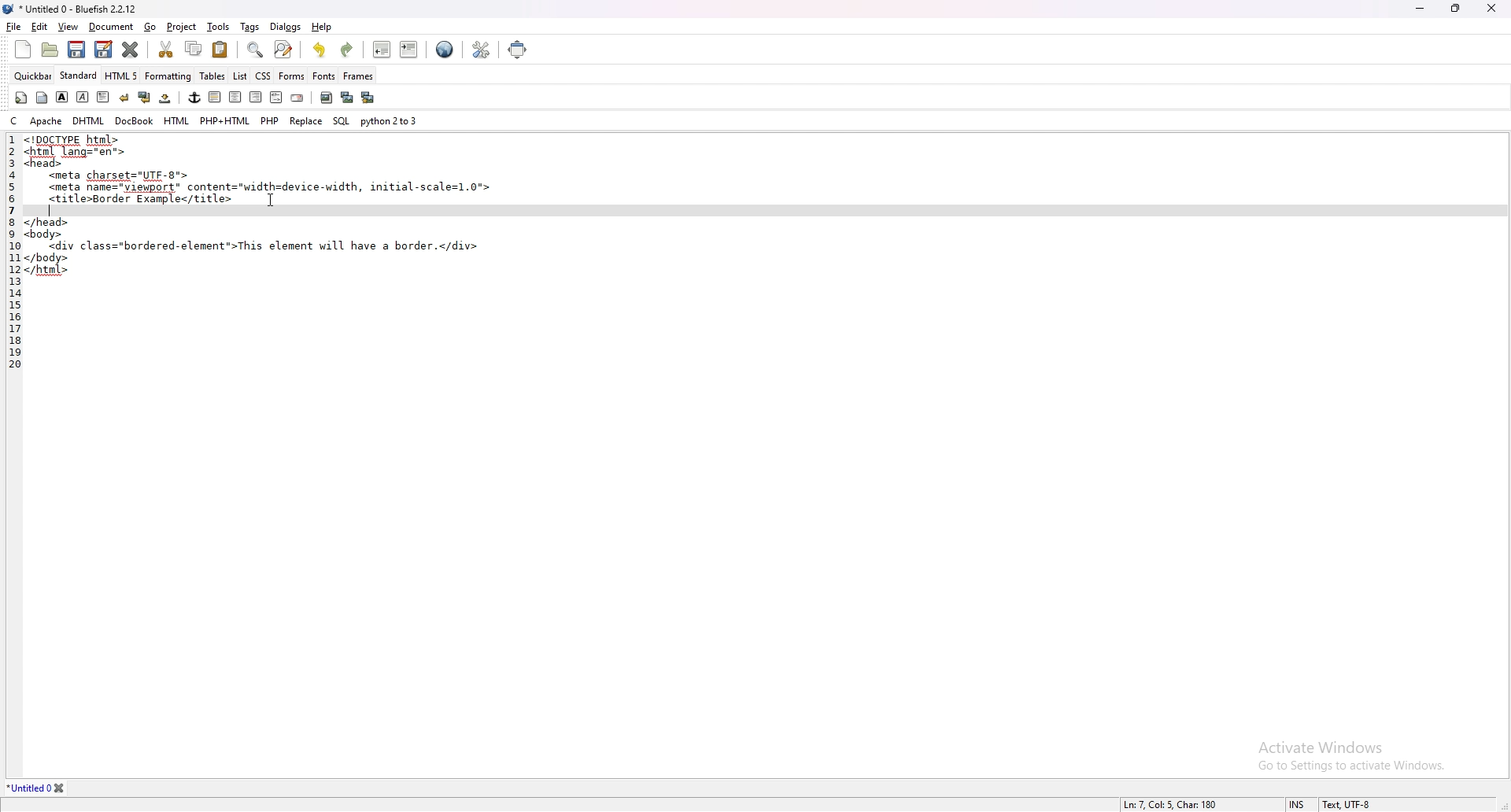 The width and height of the screenshot is (1511, 812). What do you see at coordinates (150, 27) in the screenshot?
I see `go` at bounding box center [150, 27].